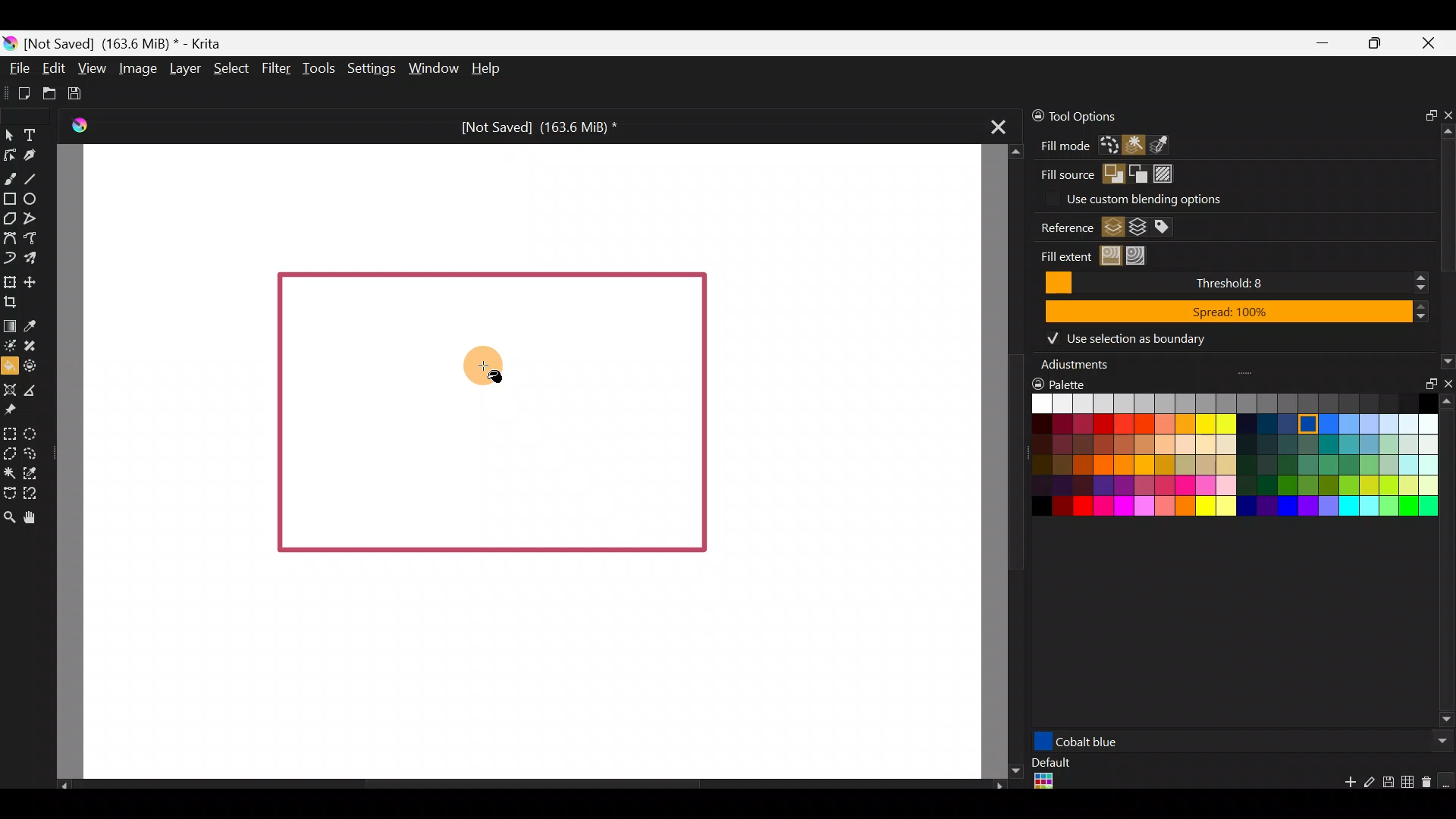 The image size is (1456, 819). What do you see at coordinates (1164, 226) in the screenshot?
I see `Fill regions from the merging of layers with specific colors` at bounding box center [1164, 226].